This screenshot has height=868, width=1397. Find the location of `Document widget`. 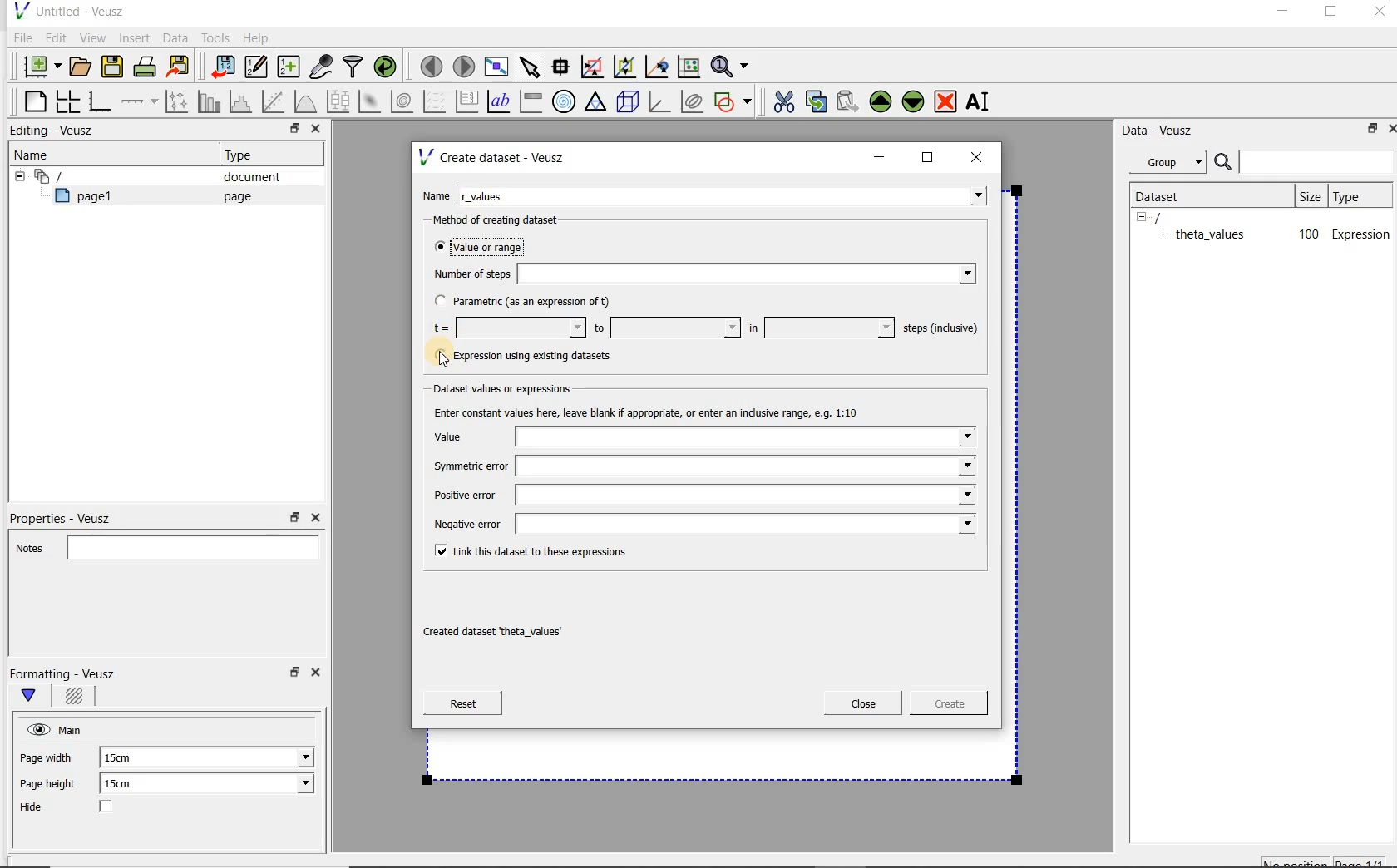

Document widget is located at coordinates (78, 176).